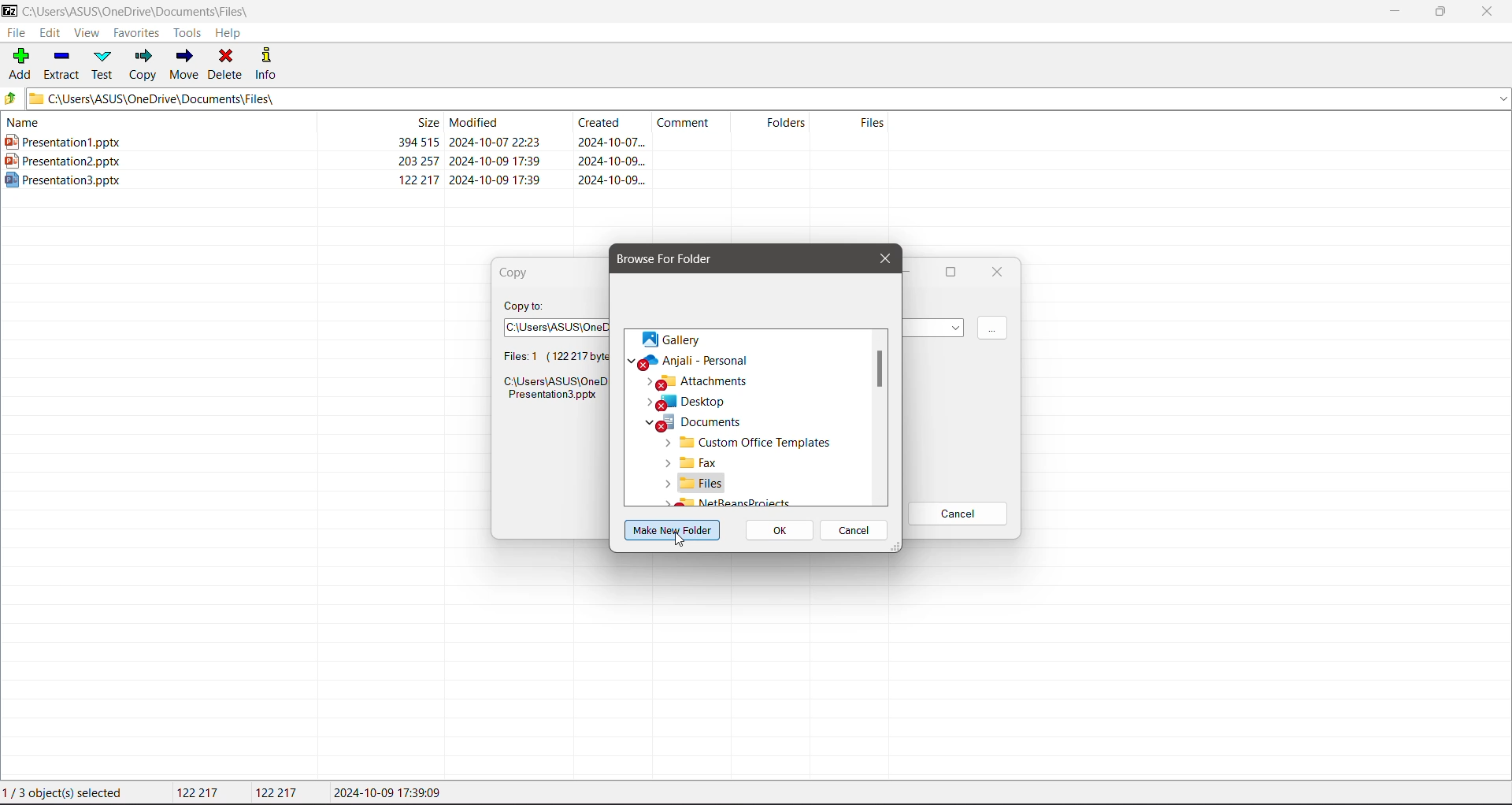 The height and width of the screenshot is (805, 1512). Describe the element at coordinates (509, 122) in the screenshot. I see `Modified Date` at that location.